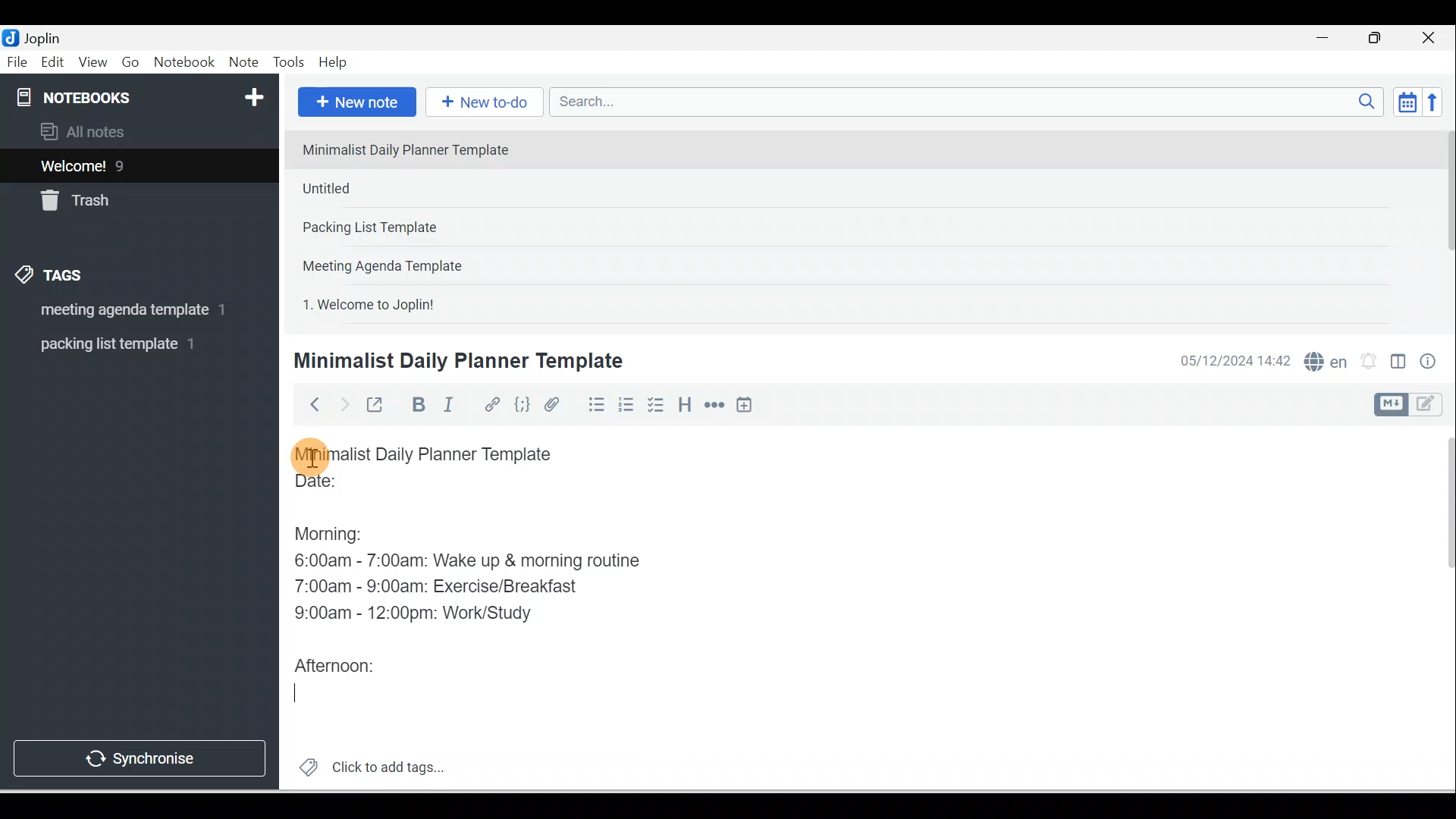 The height and width of the screenshot is (819, 1456). Describe the element at coordinates (481, 103) in the screenshot. I see `New to-do` at that location.